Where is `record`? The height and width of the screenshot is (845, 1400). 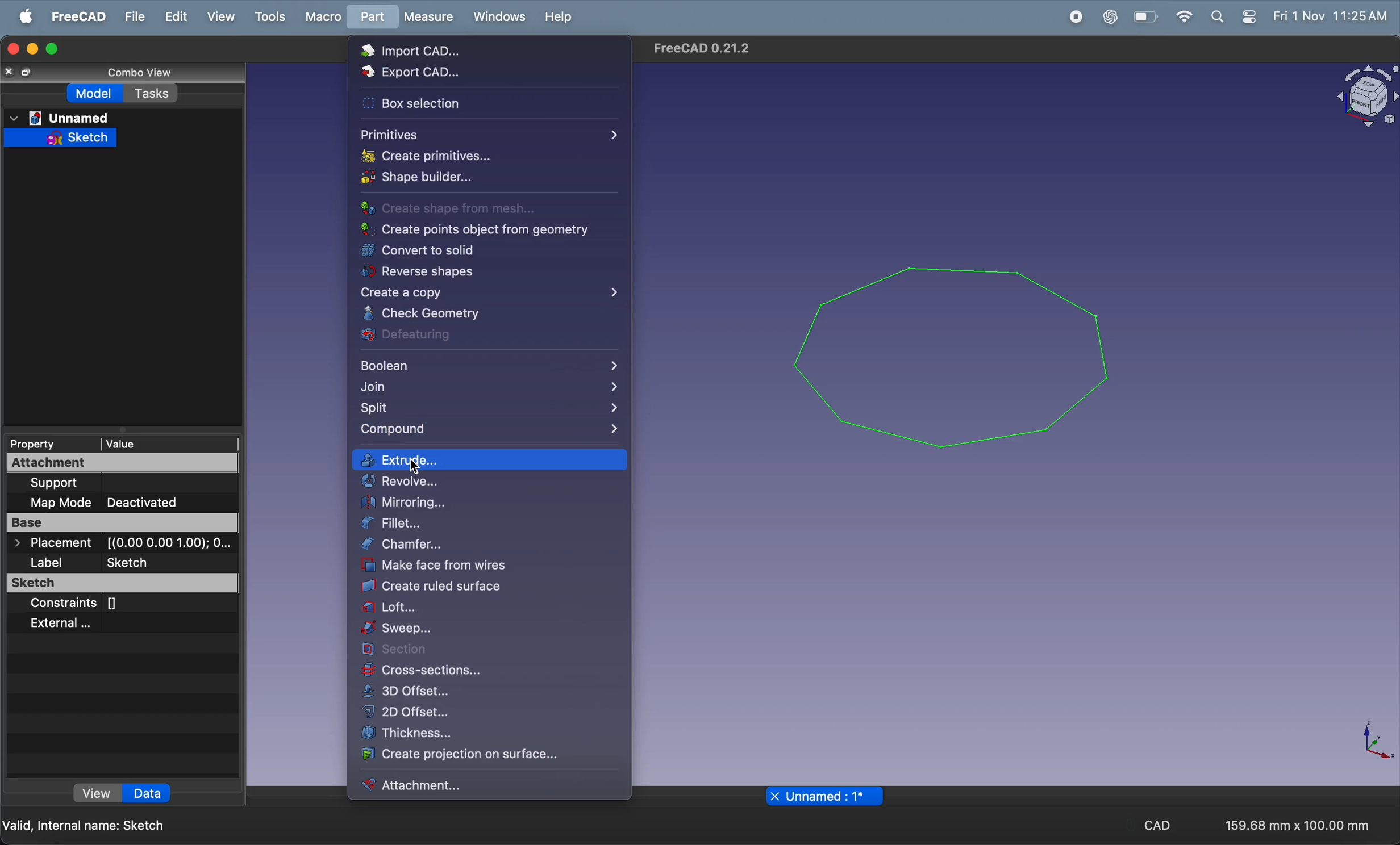 record is located at coordinates (1071, 17).